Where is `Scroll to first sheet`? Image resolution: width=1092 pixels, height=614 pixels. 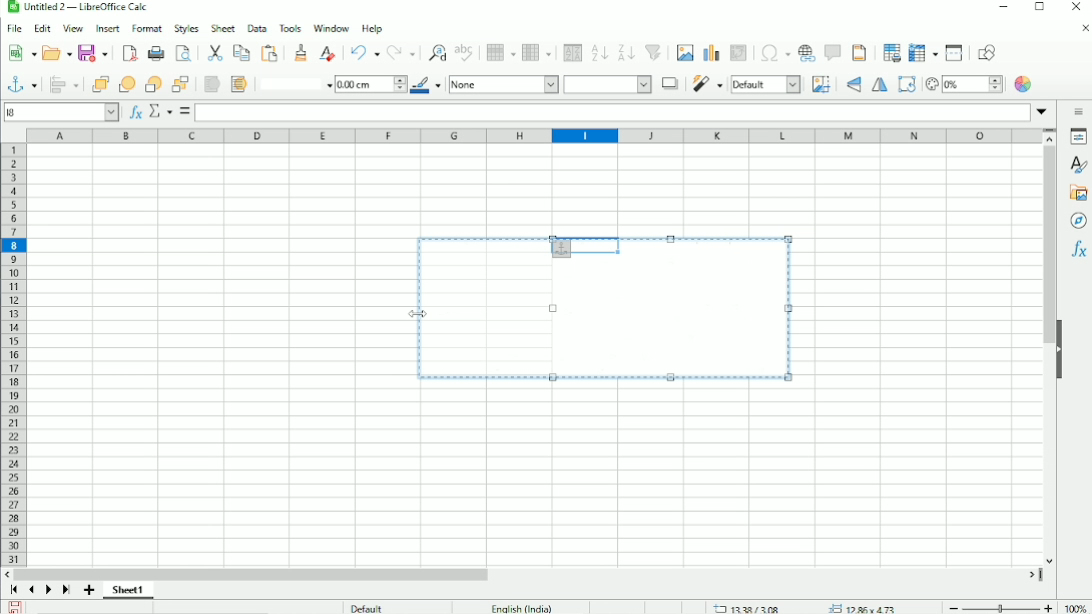 Scroll to first sheet is located at coordinates (14, 590).